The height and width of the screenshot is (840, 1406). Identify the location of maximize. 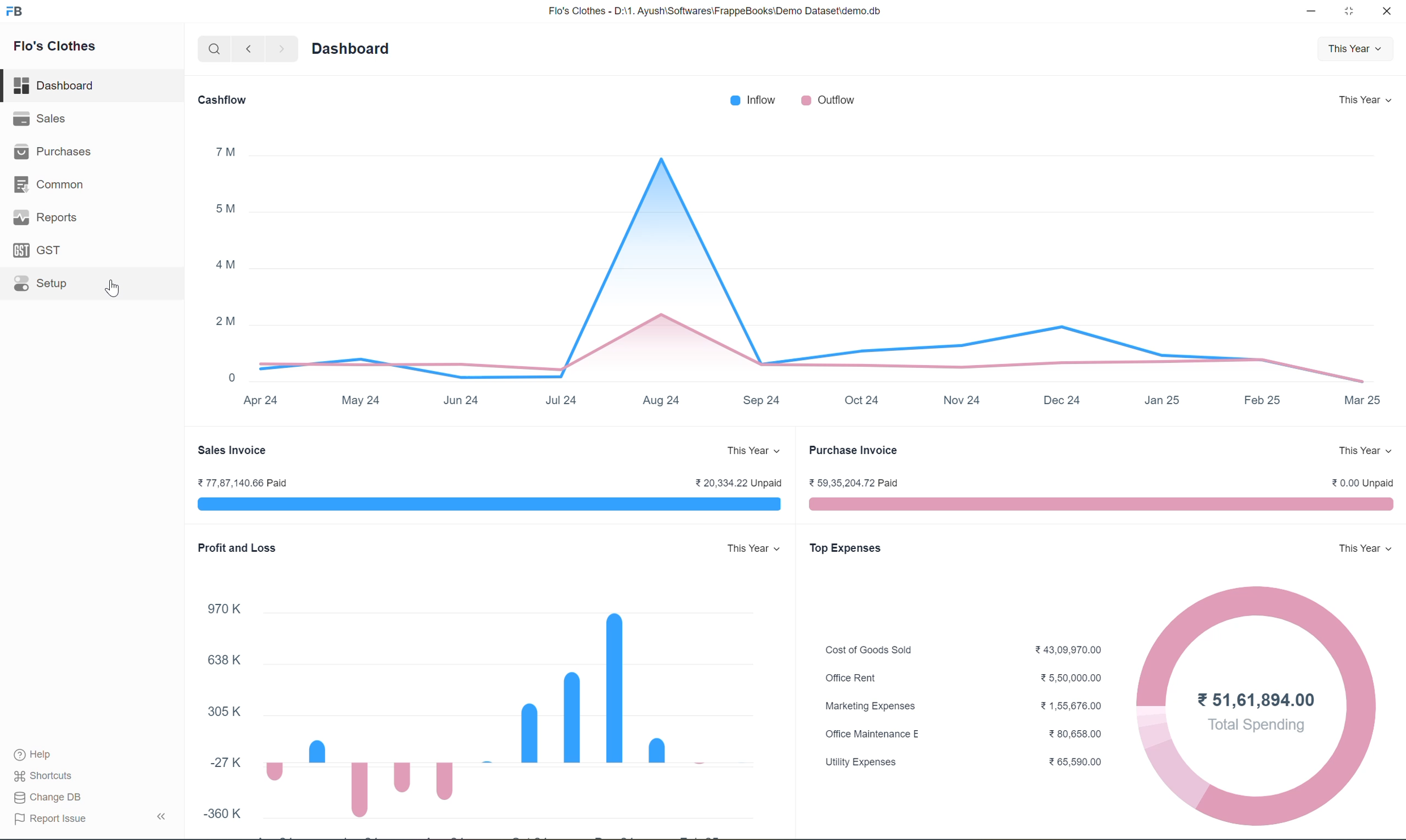
(1349, 10).